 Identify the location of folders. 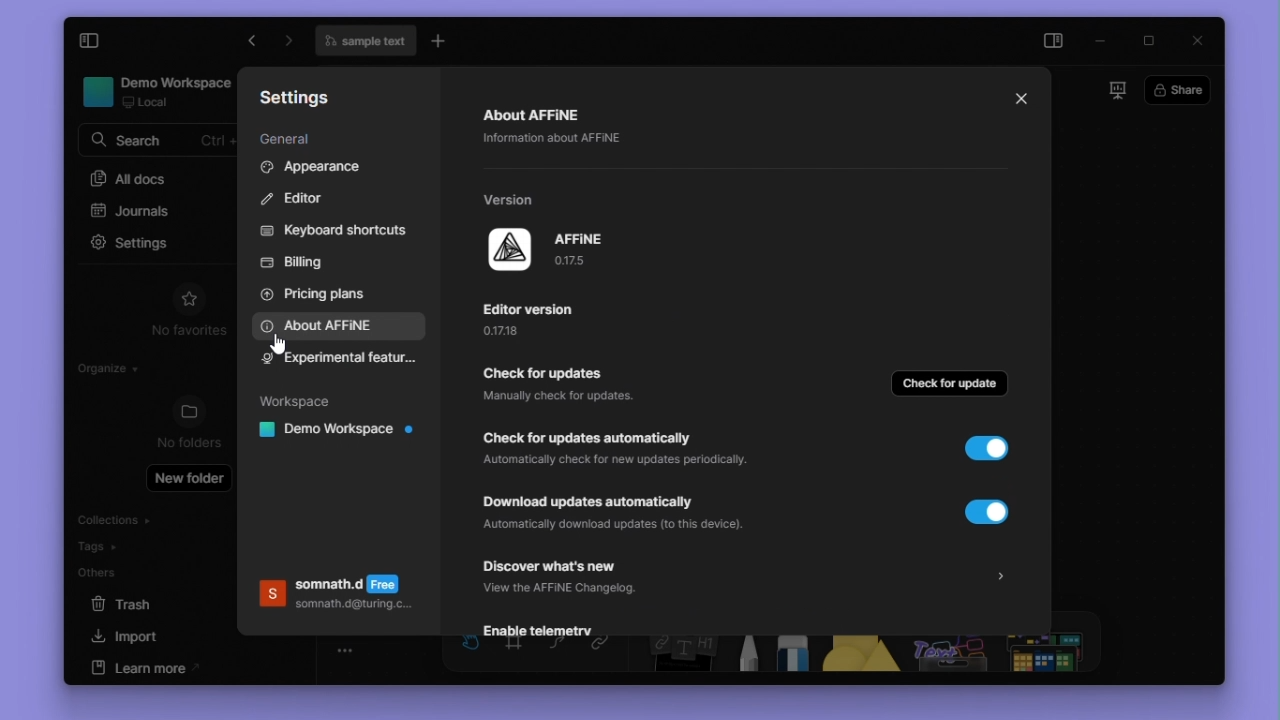
(189, 412).